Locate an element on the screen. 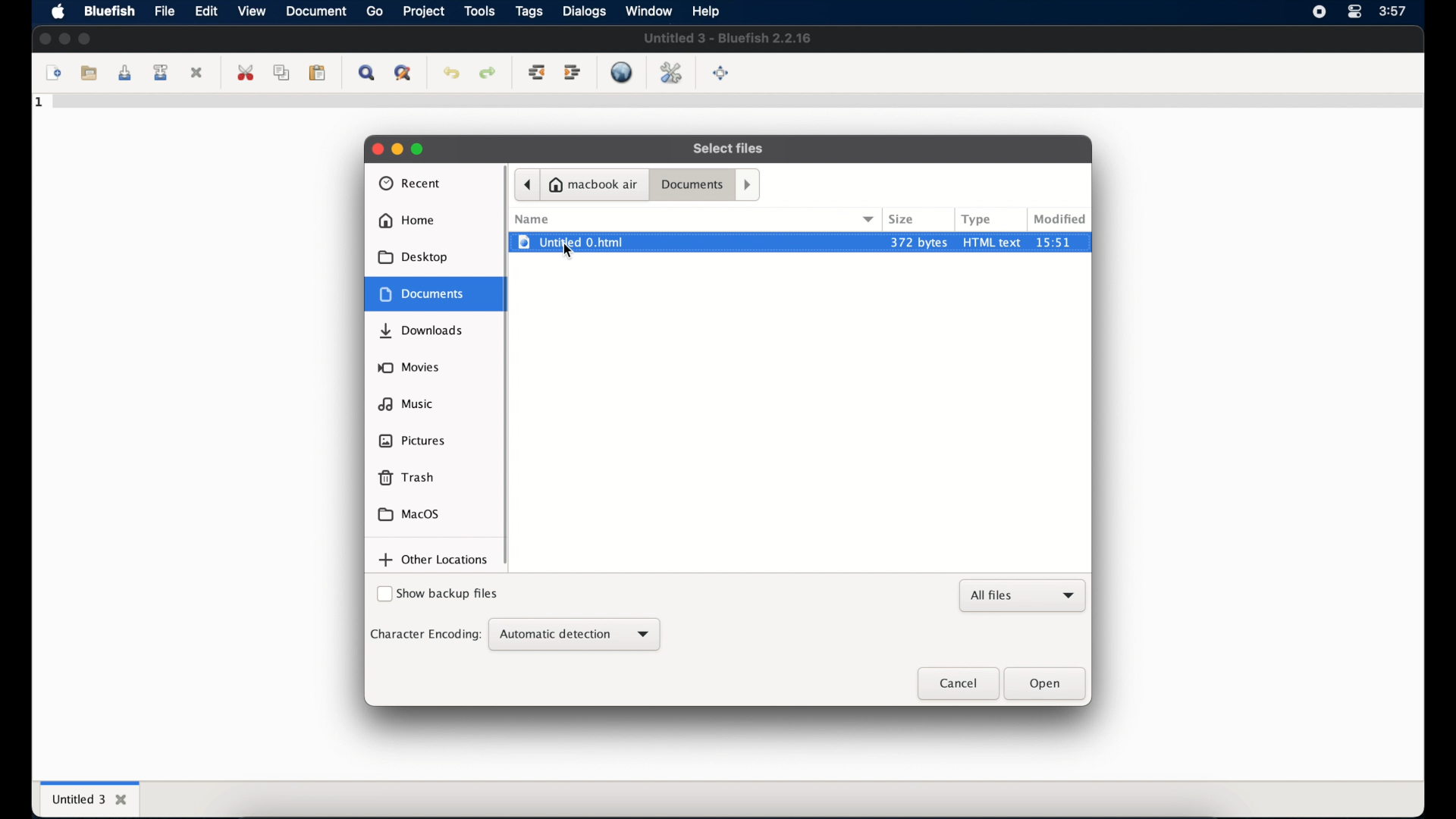 This screenshot has height=819, width=1456. home is located at coordinates (406, 221).